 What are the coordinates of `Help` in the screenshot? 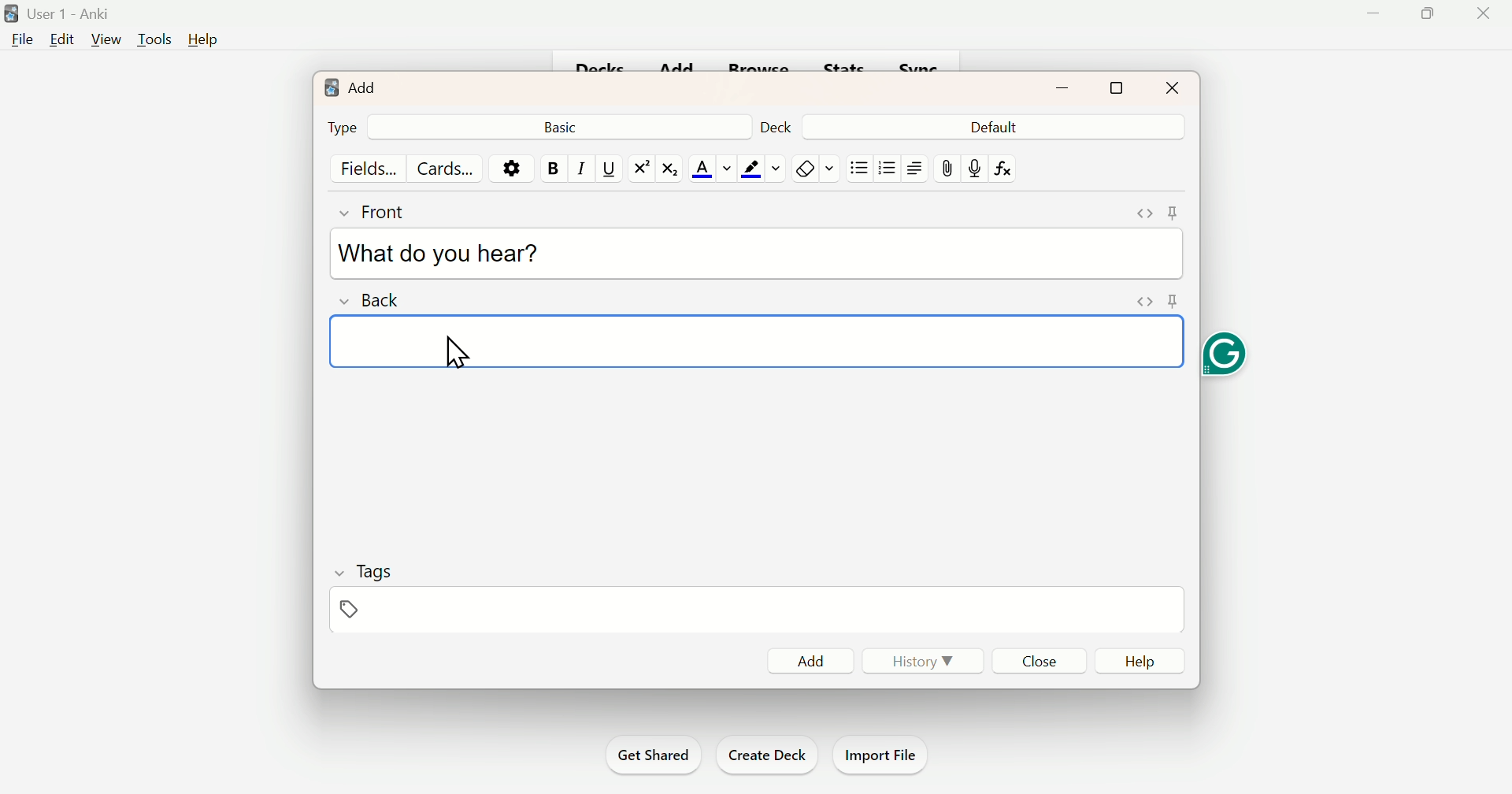 It's located at (1143, 659).